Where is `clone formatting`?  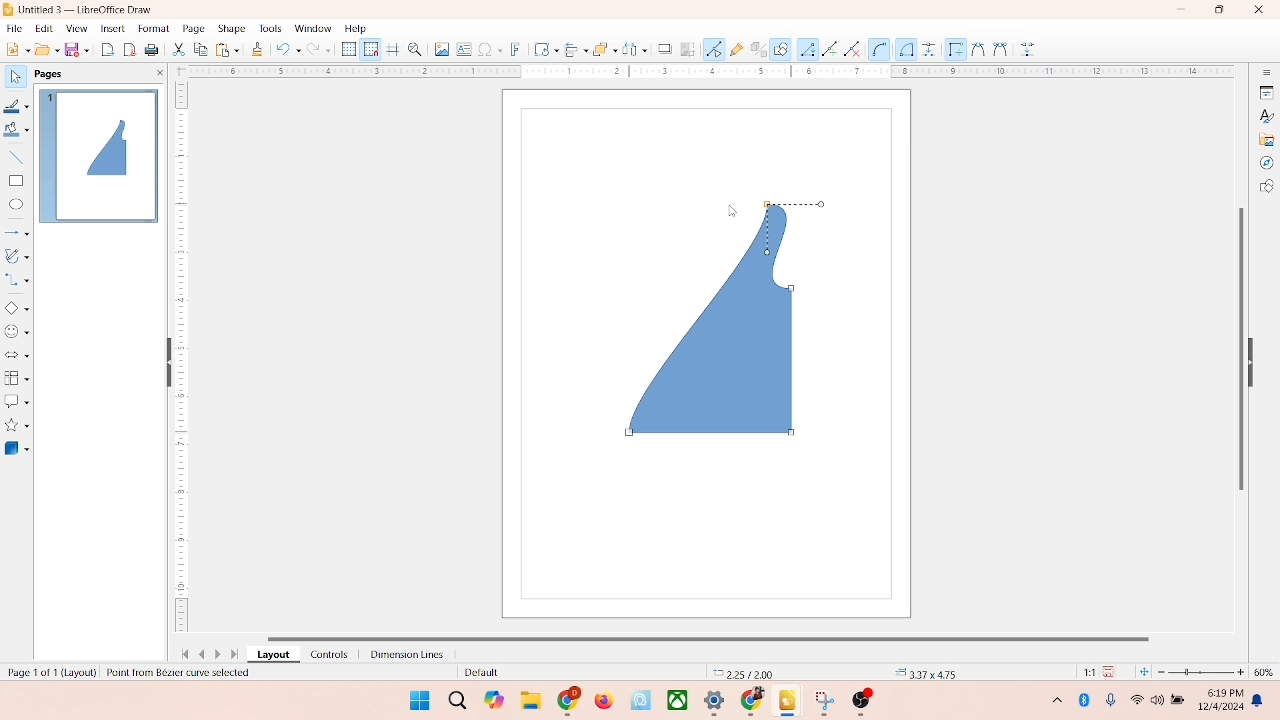
clone formatting is located at coordinates (256, 49).